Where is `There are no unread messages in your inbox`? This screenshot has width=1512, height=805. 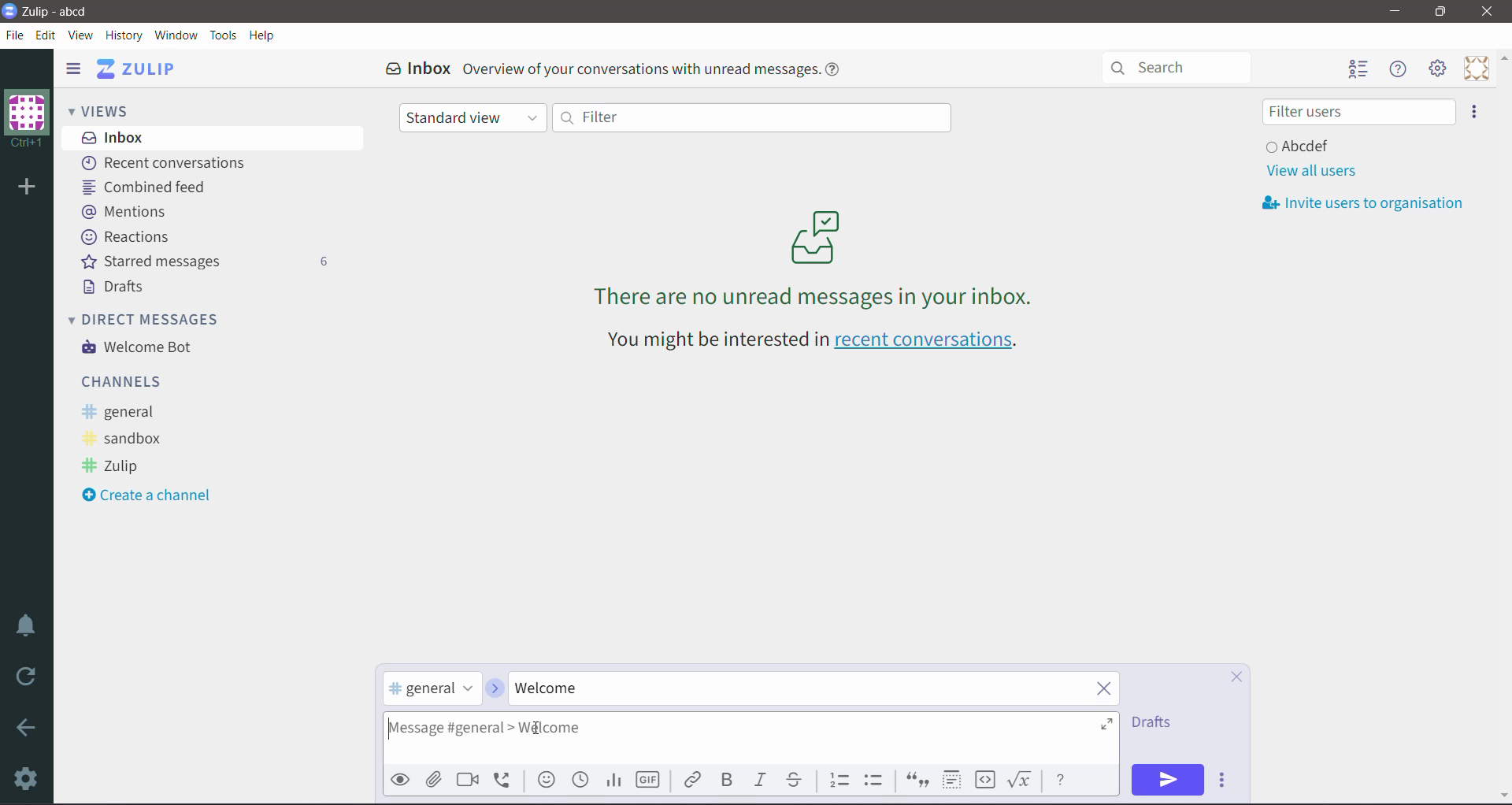
There are no unread messages in your inbox is located at coordinates (815, 258).